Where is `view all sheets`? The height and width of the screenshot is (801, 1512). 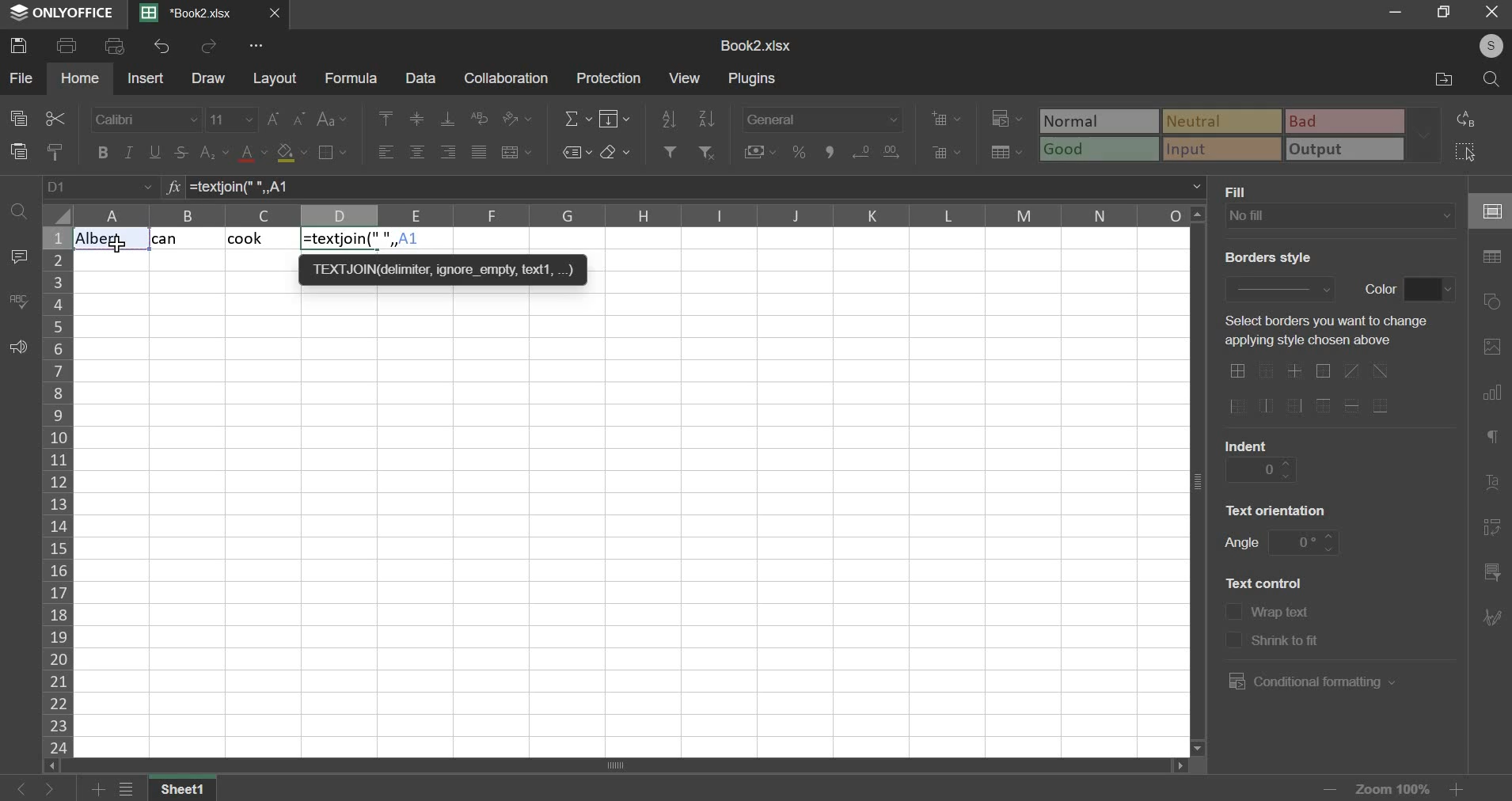 view all sheets is located at coordinates (135, 790).